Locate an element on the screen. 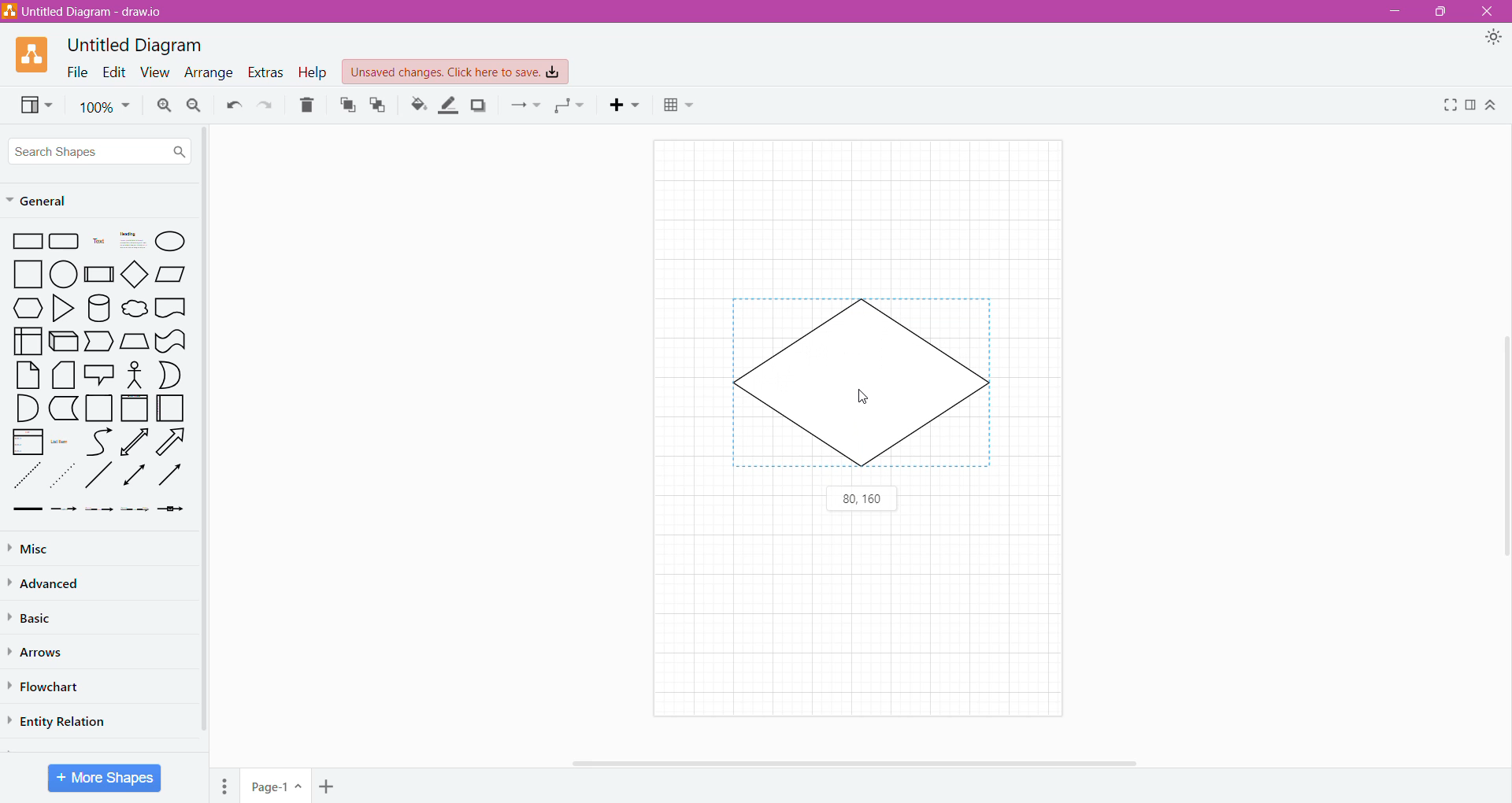 This screenshot has height=803, width=1512. Connector with Icon Symbol is located at coordinates (175, 510).